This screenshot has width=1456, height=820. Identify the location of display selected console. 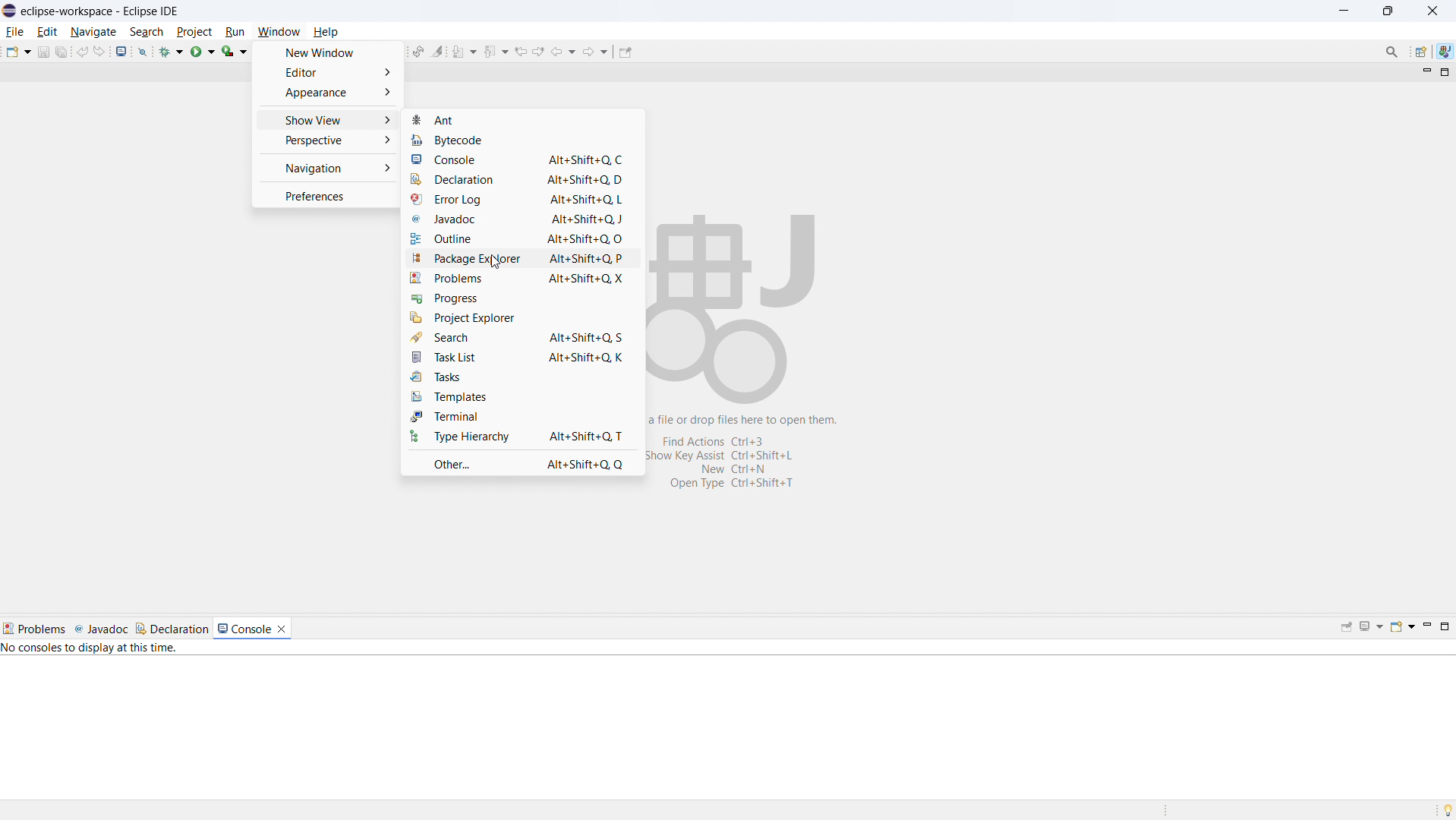
(1371, 627).